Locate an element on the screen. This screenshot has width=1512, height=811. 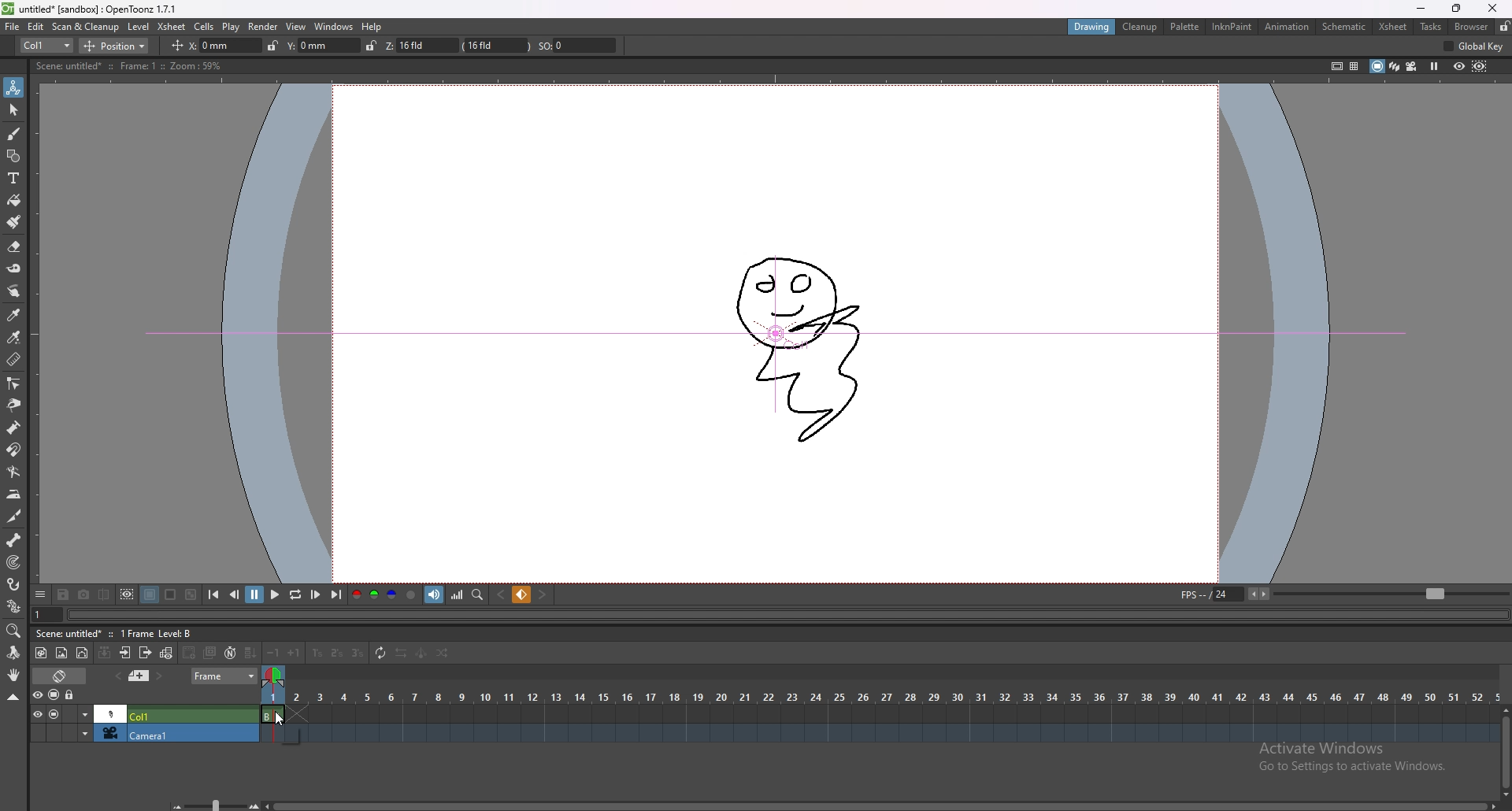
selection is located at coordinates (14, 110).